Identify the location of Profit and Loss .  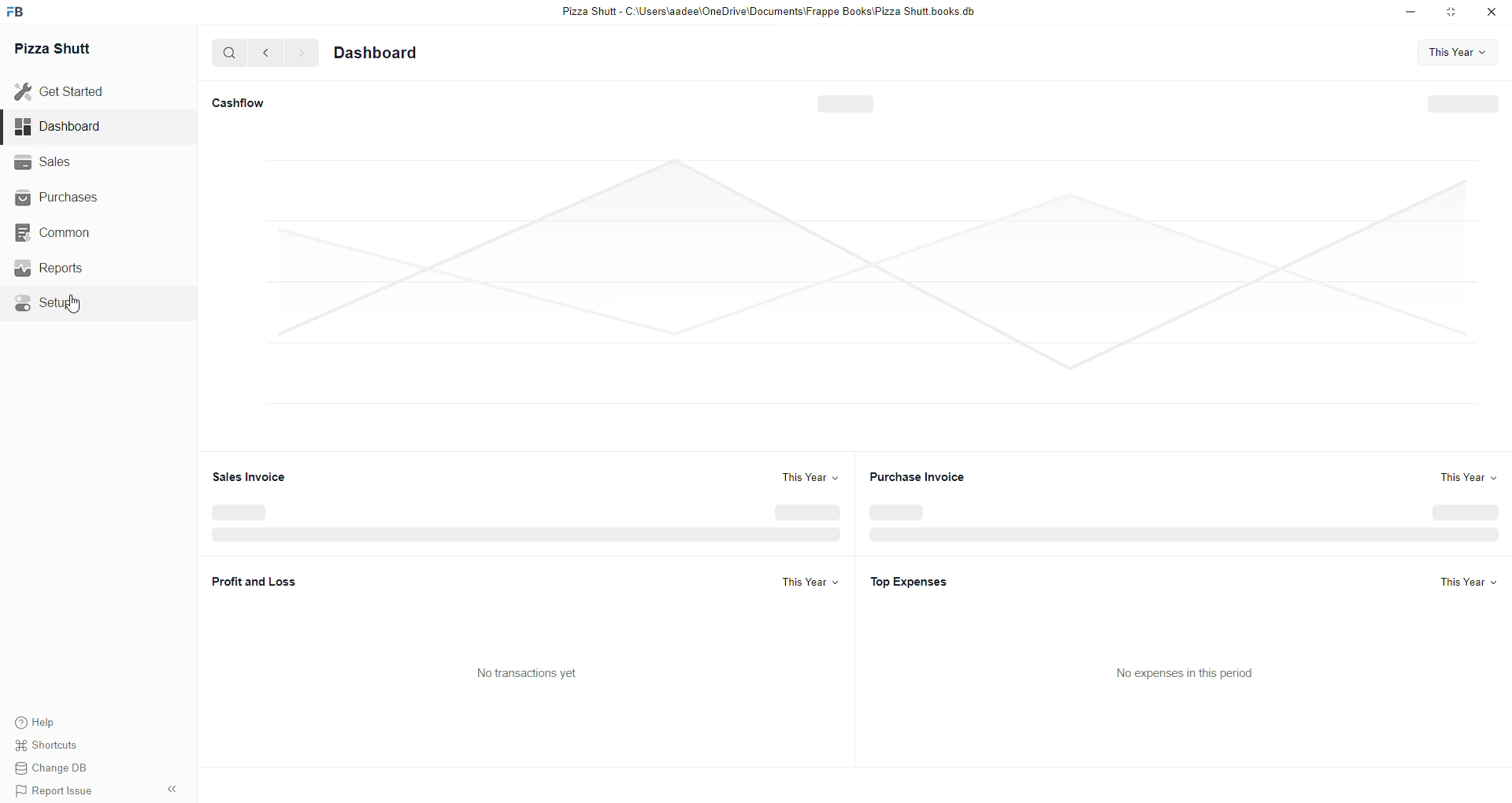
(245, 577).